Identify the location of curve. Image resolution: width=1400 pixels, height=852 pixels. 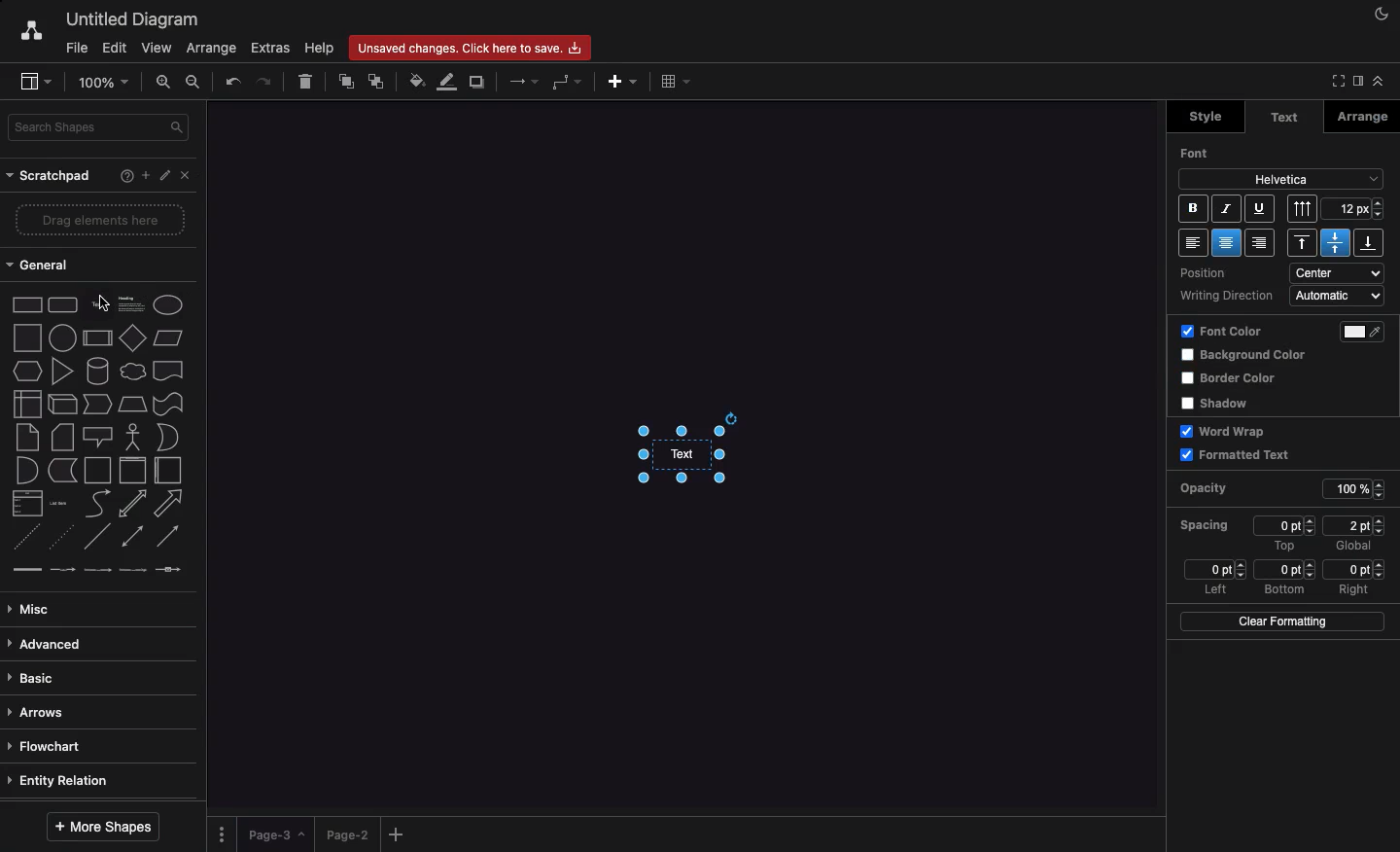
(98, 502).